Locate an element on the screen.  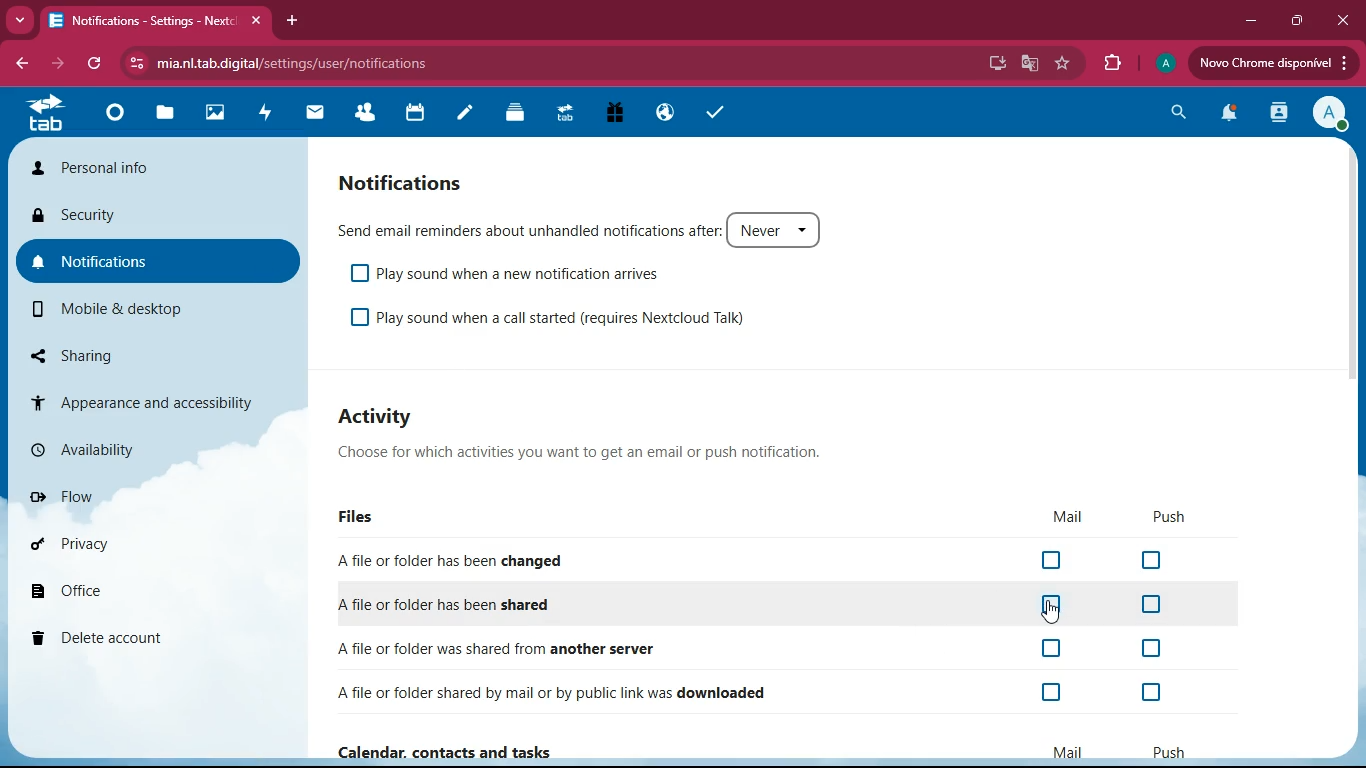
profile is located at coordinates (1168, 62).